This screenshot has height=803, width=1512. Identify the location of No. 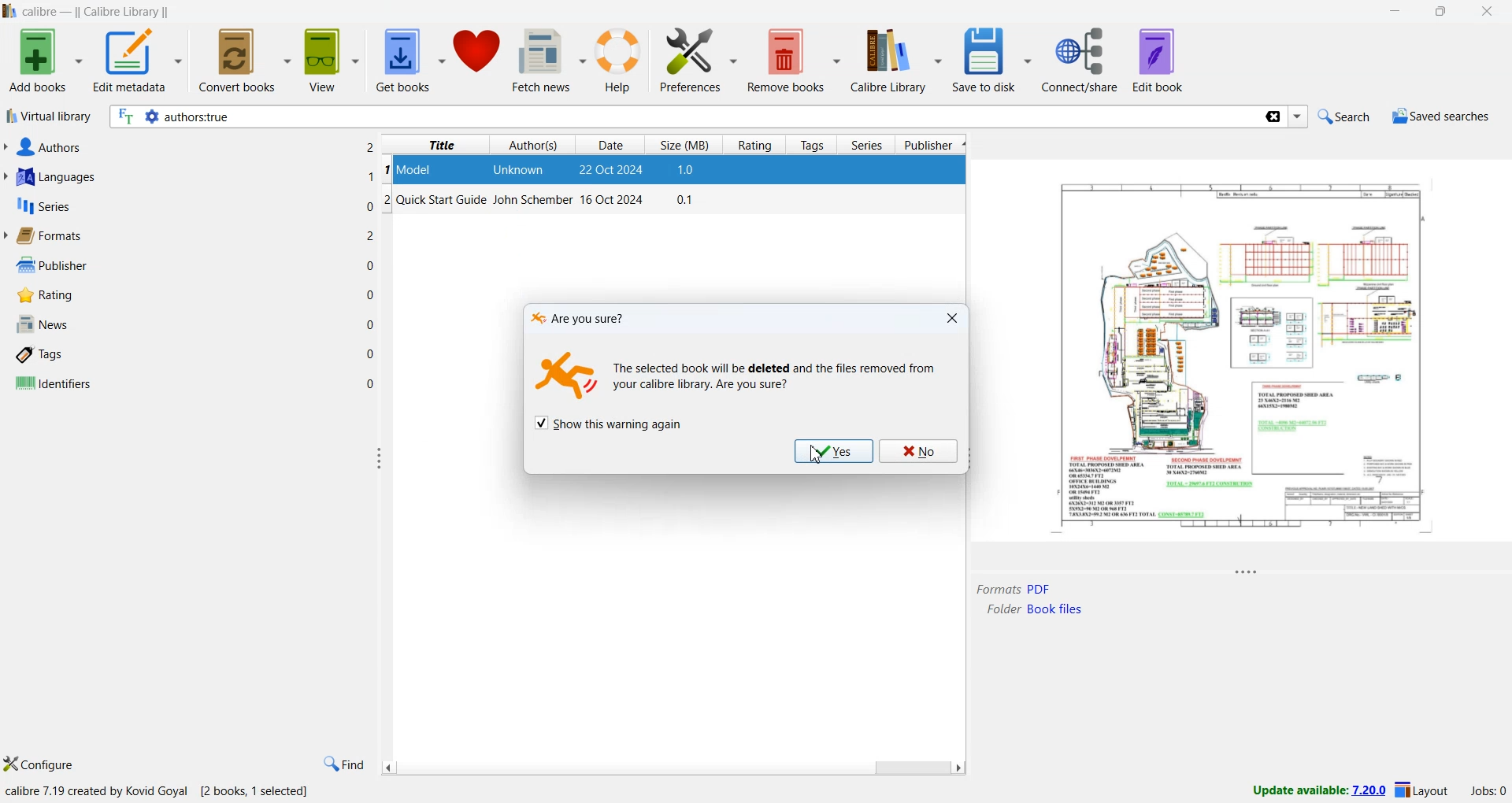
(916, 451).